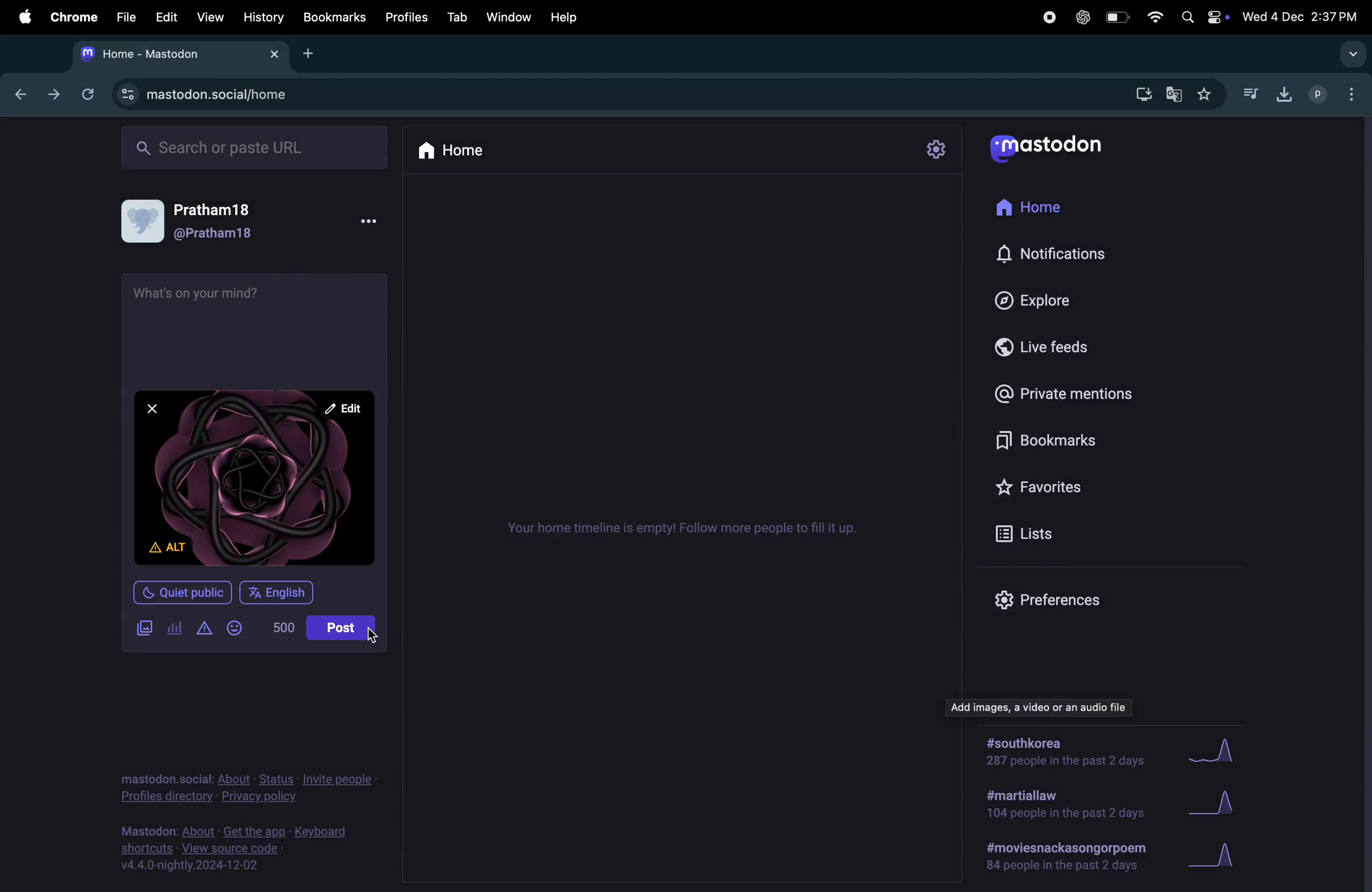 Image resolution: width=1372 pixels, height=892 pixels. I want to click on Profiles, so click(408, 14).